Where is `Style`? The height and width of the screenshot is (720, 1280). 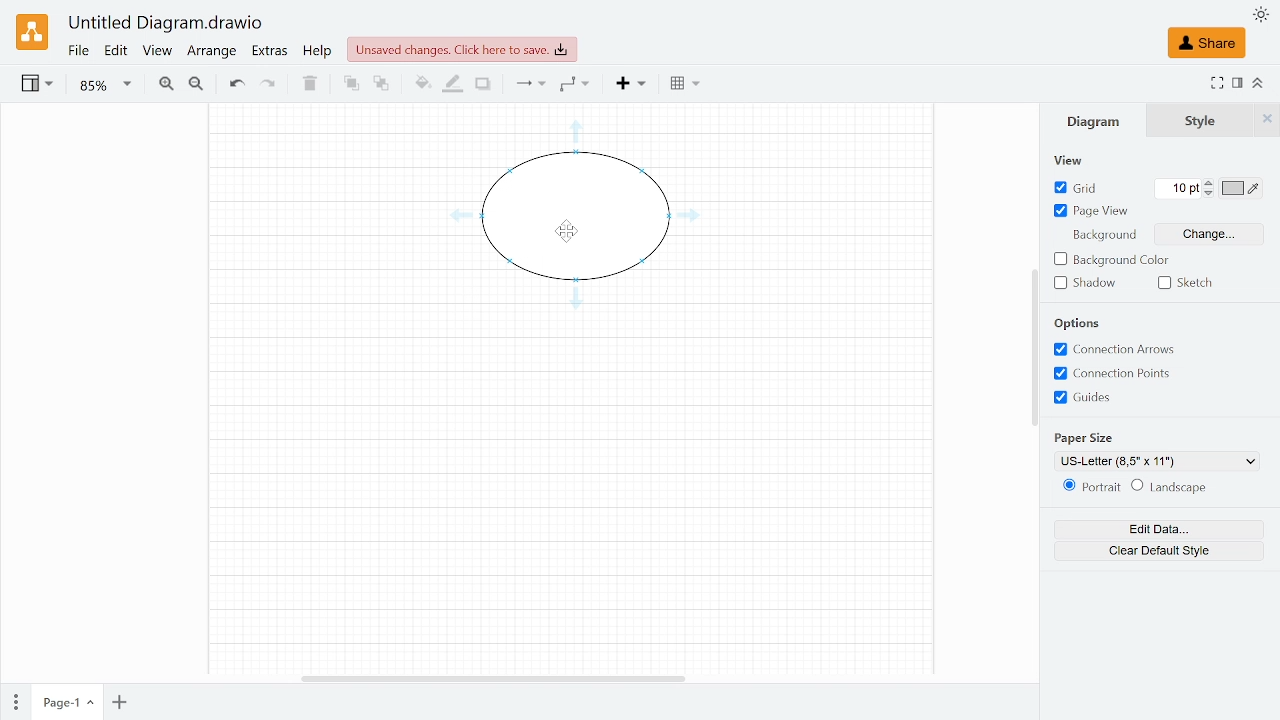 Style is located at coordinates (1193, 122).